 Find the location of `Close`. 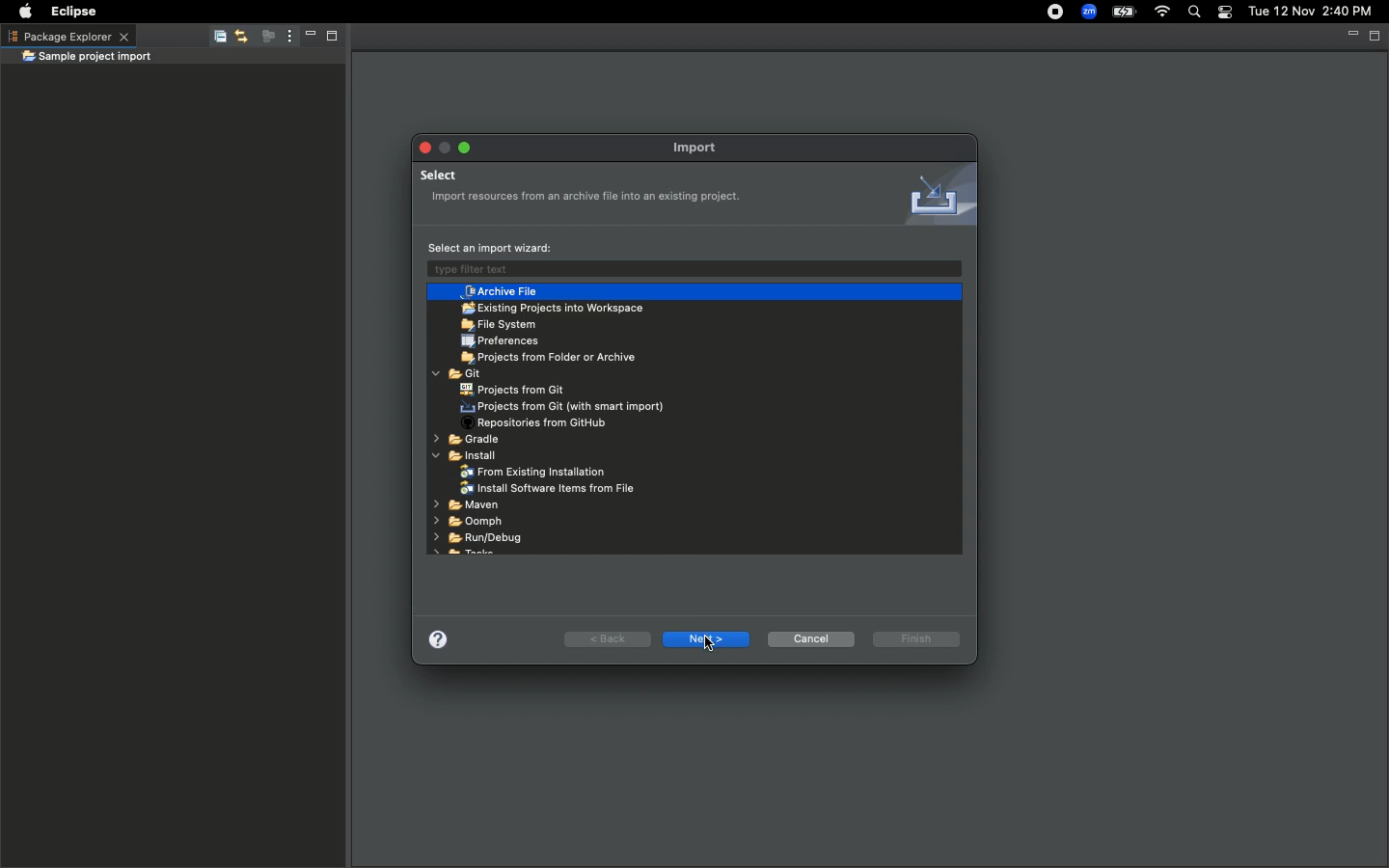

Close is located at coordinates (422, 146).